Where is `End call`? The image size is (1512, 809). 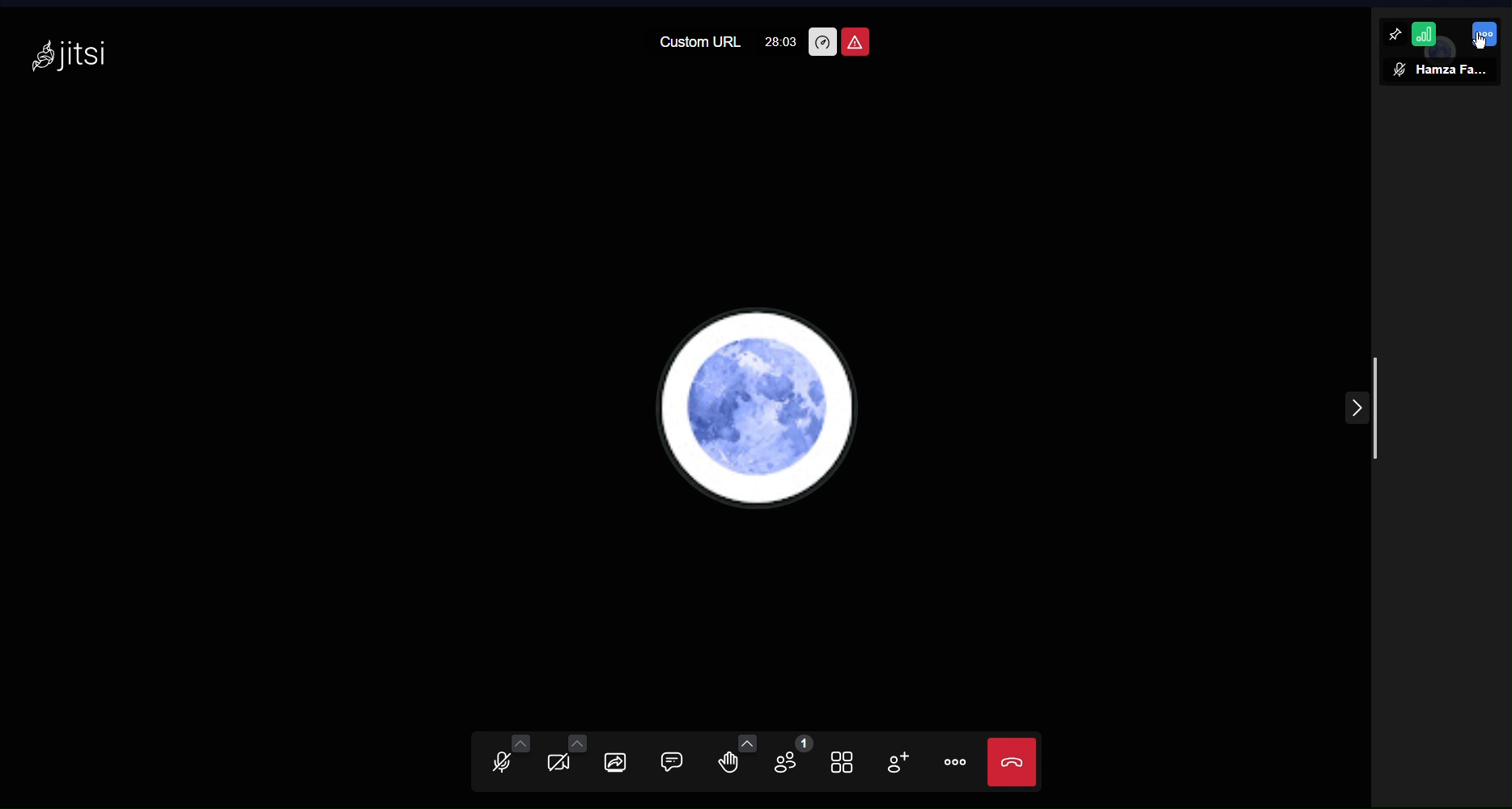
End call is located at coordinates (1013, 762).